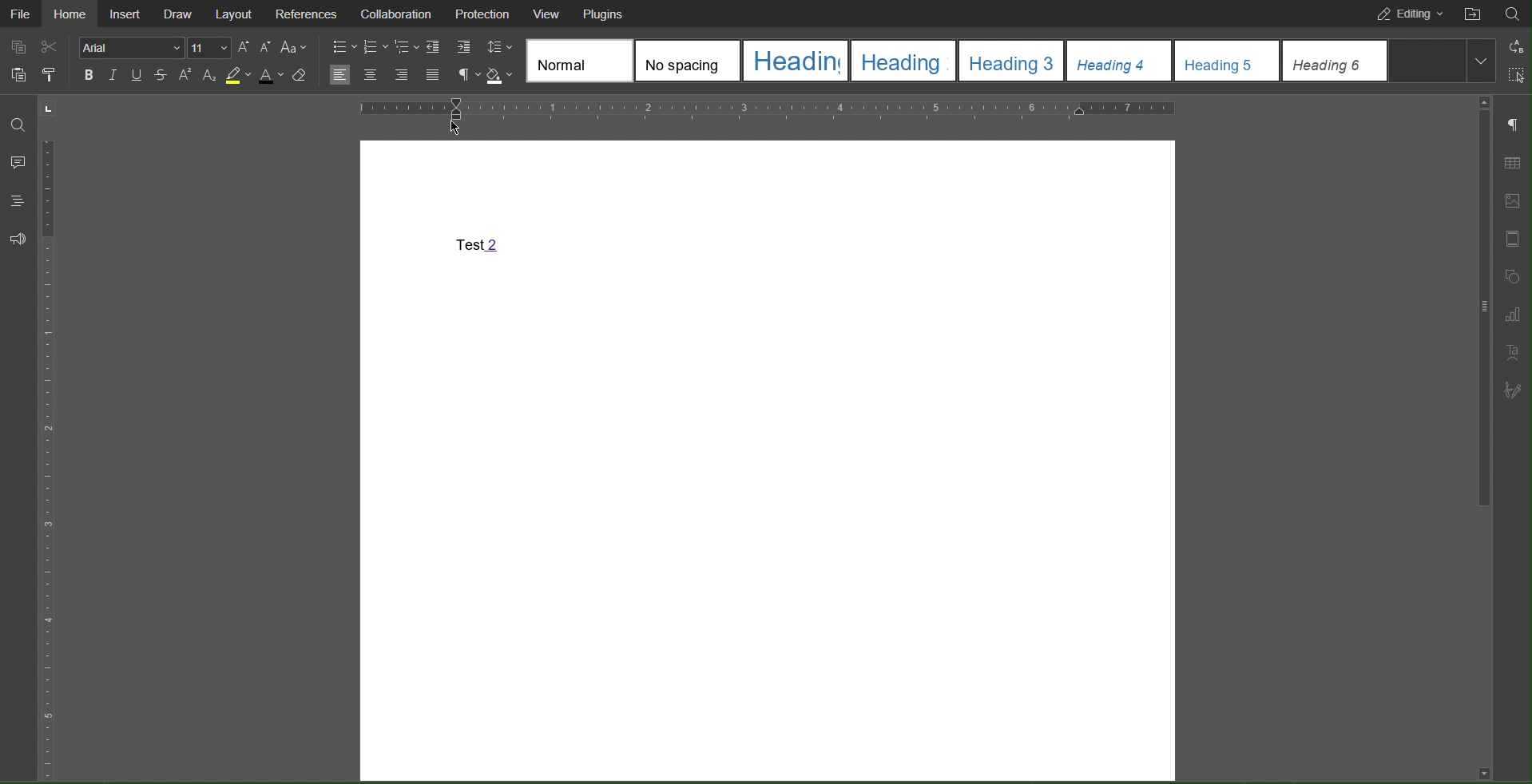  What do you see at coordinates (268, 46) in the screenshot?
I see `Decrease` at bounding box center [268, 46].